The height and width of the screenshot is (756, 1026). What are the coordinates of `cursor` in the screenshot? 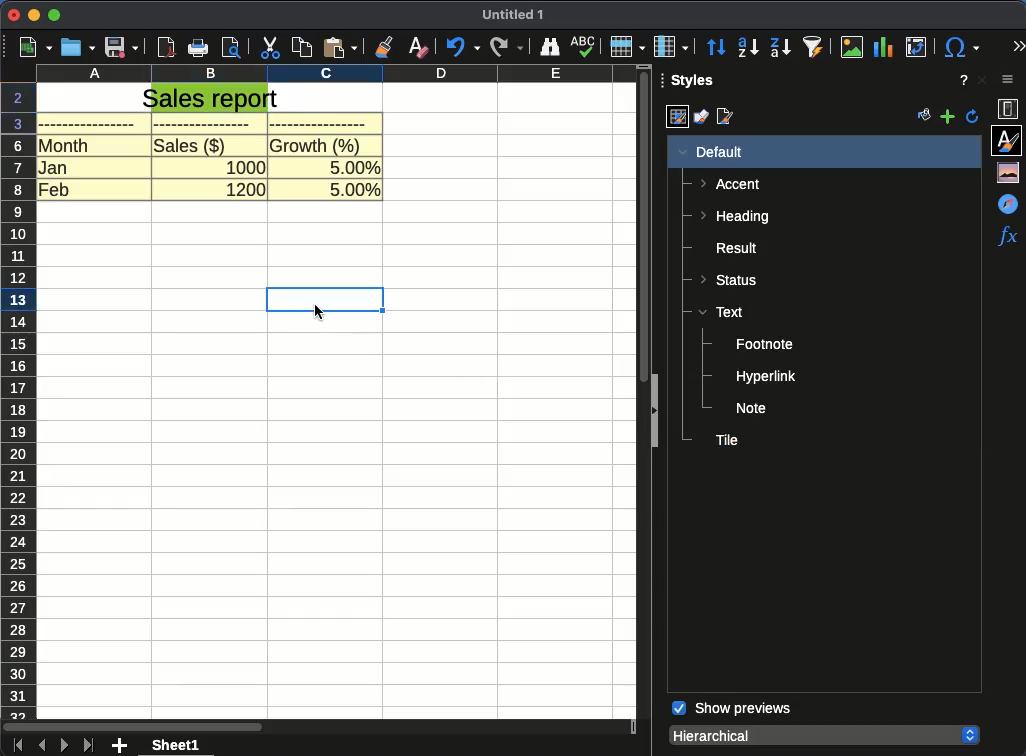 It's located at (323, 313).